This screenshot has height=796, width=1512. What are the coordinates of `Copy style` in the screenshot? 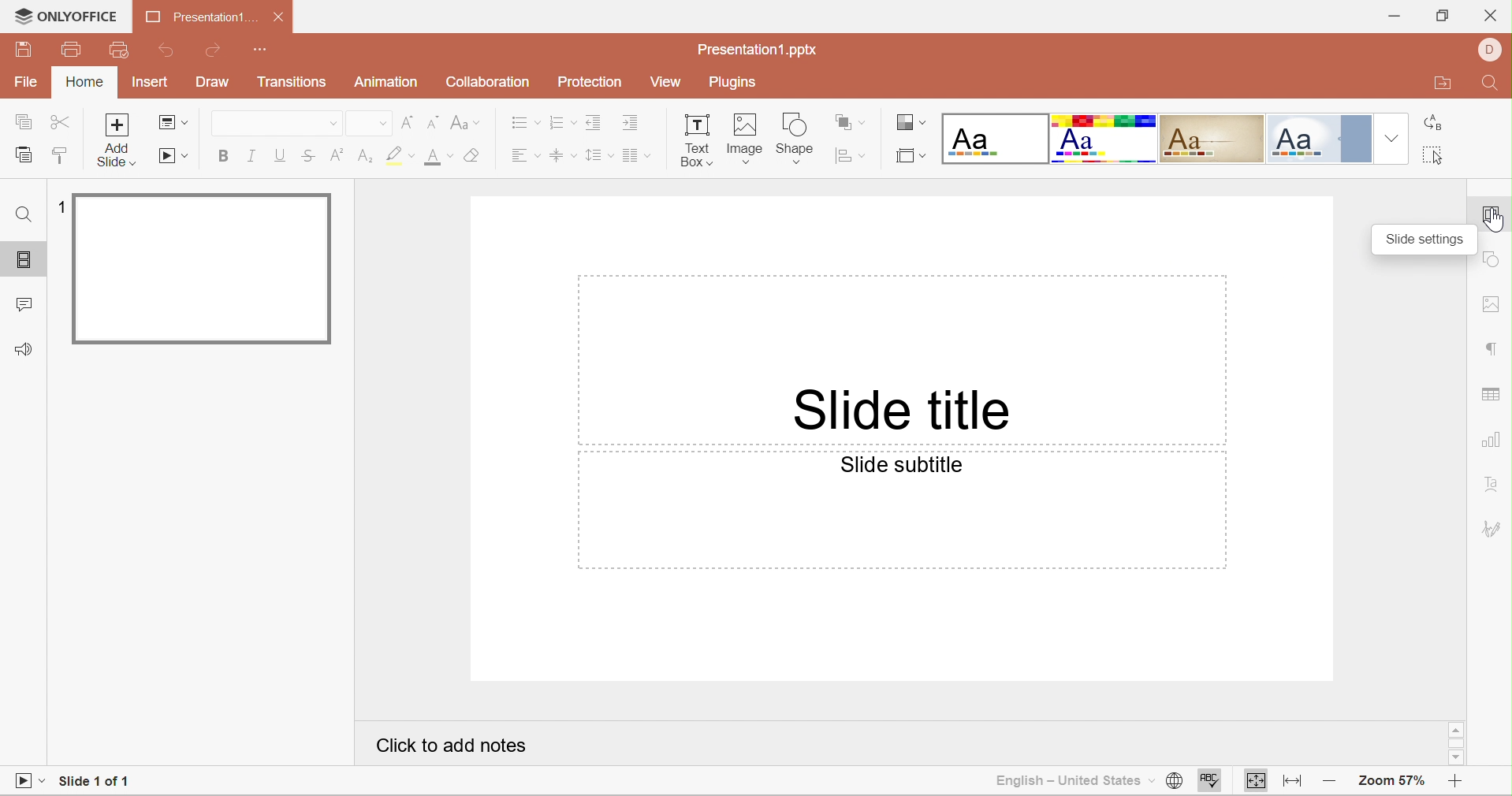 It's located at (59, 154).